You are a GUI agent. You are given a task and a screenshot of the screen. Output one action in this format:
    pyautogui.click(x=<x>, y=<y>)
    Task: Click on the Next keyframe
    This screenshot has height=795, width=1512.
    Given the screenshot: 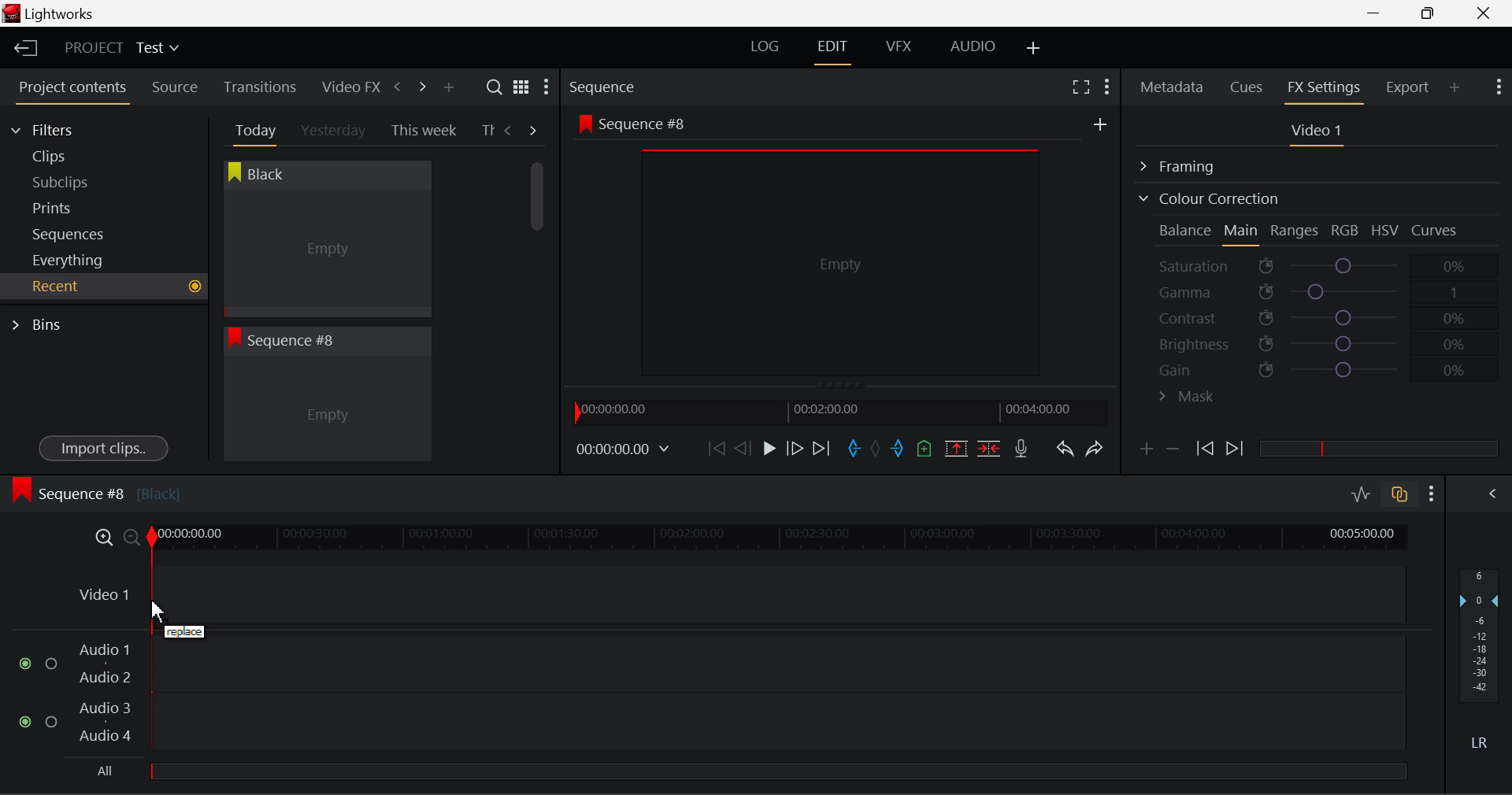 What is the action you would take?
    pyautogui.click(x=1236, y=449)
    